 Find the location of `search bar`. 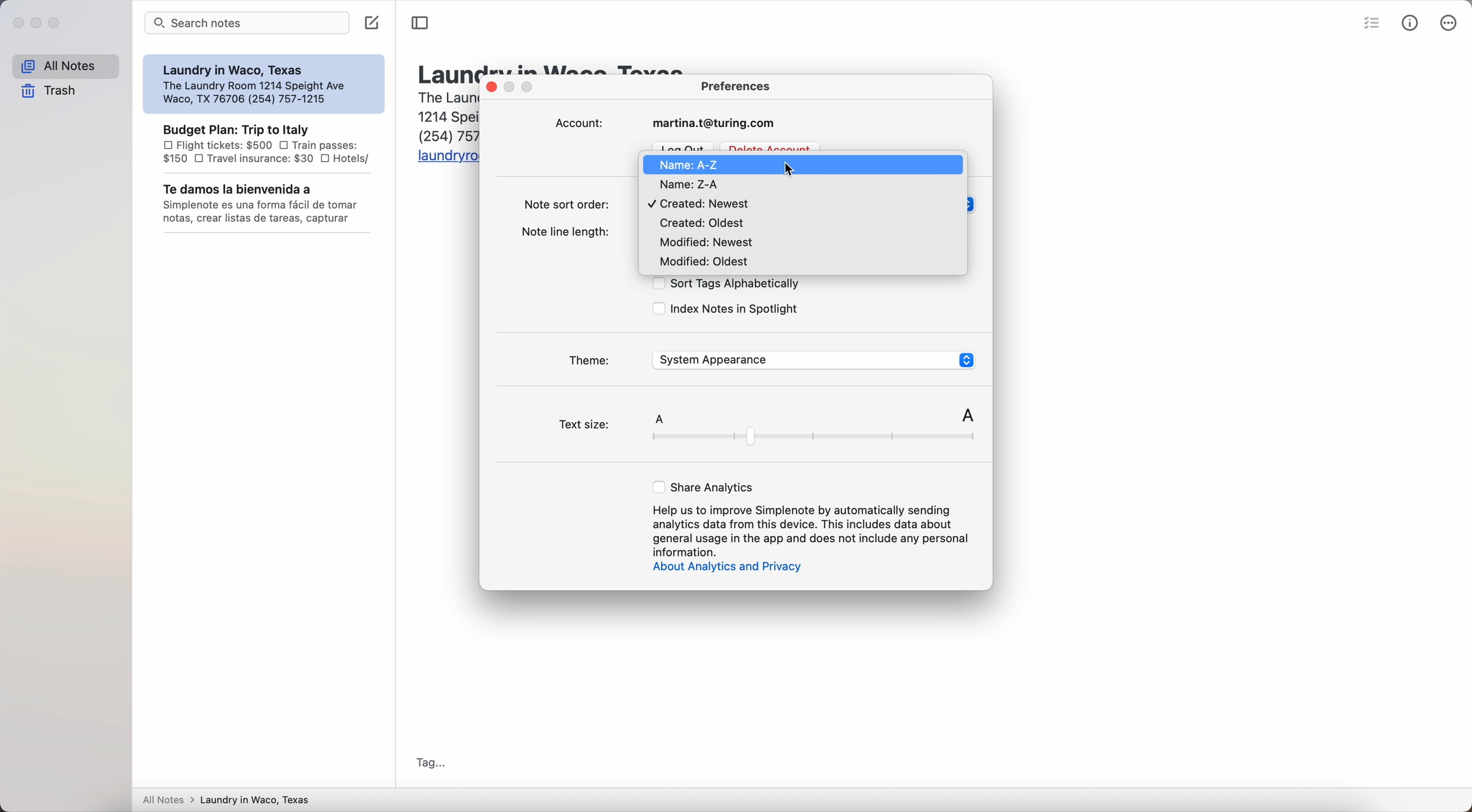

search bar is located at coordinates (247, 23).